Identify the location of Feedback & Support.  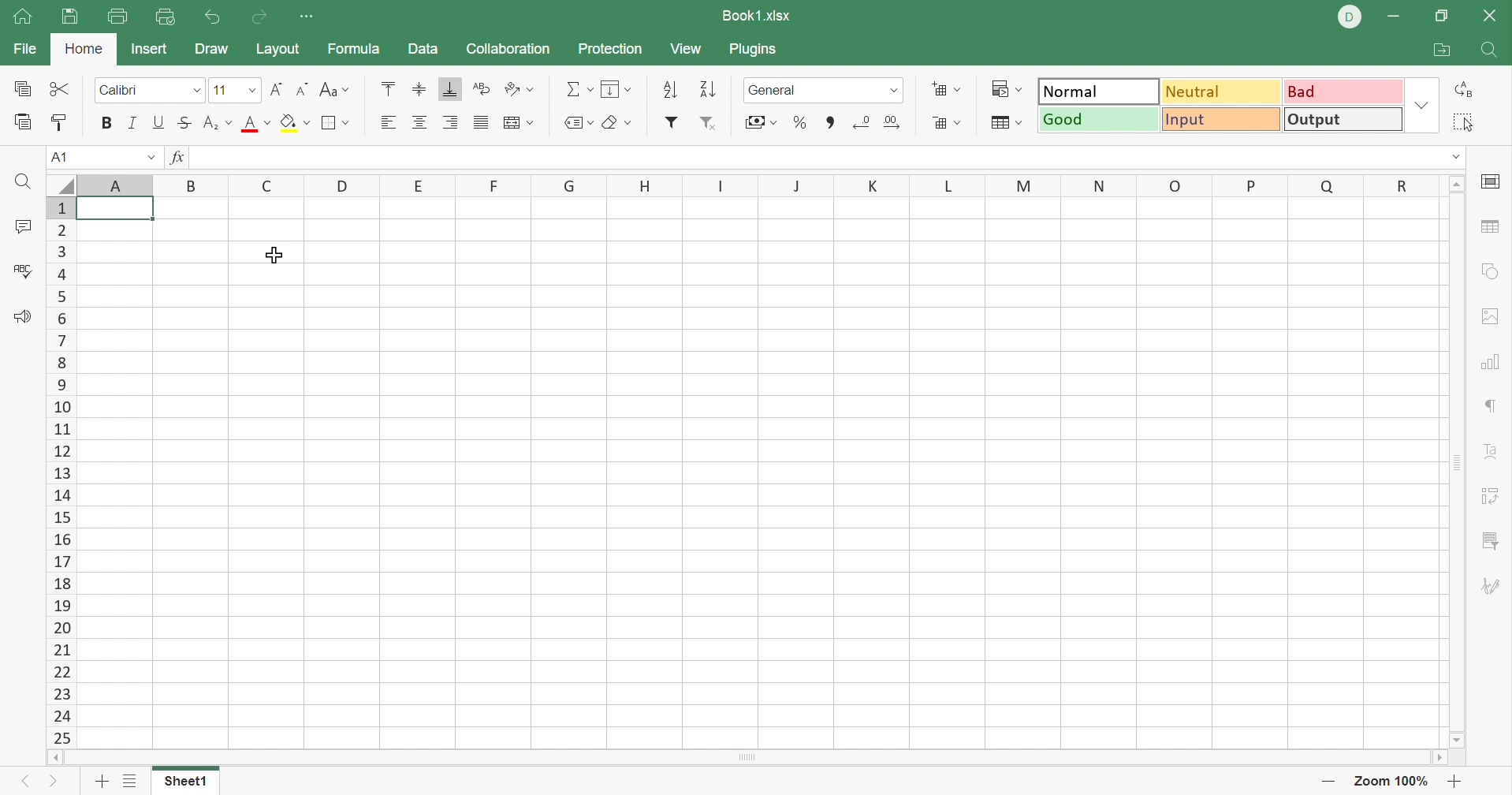
(24, 319).